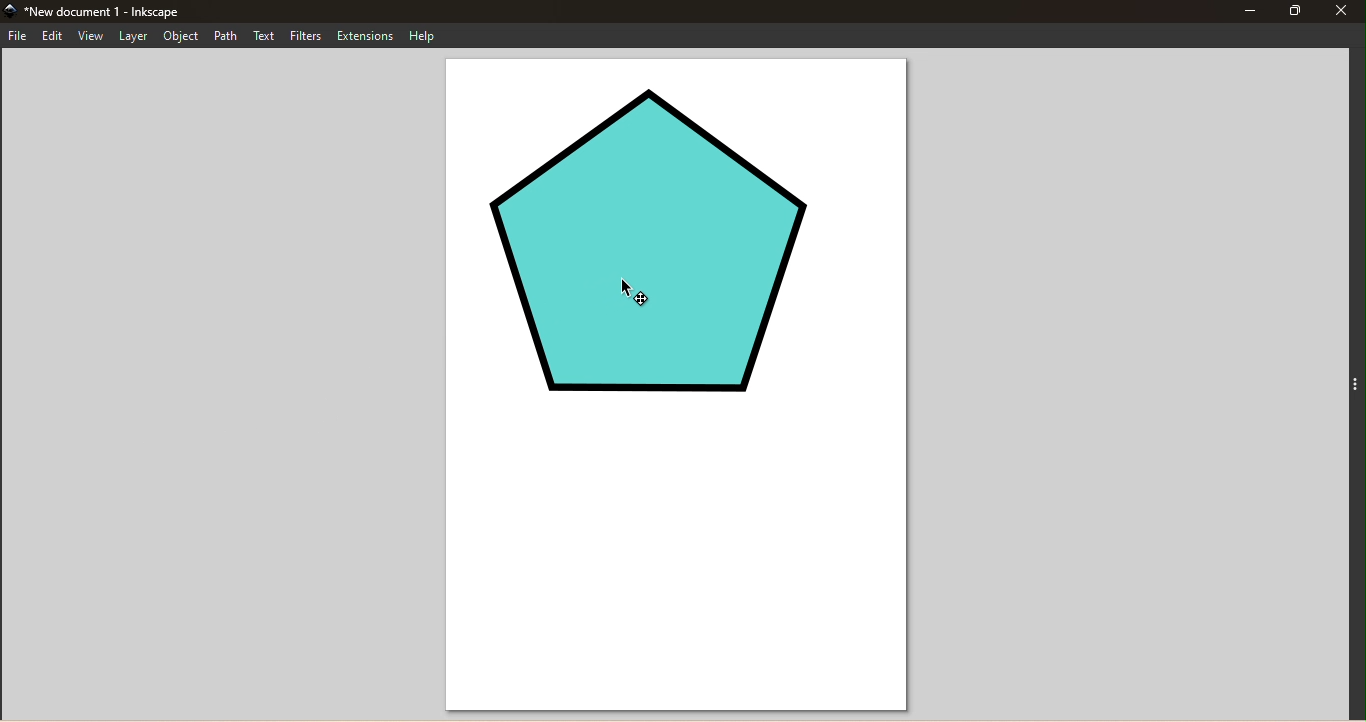  What do you see at coordinates (1248, 10) in the screenshot?
I see `Minimize` at bounding box center [1248, 10].